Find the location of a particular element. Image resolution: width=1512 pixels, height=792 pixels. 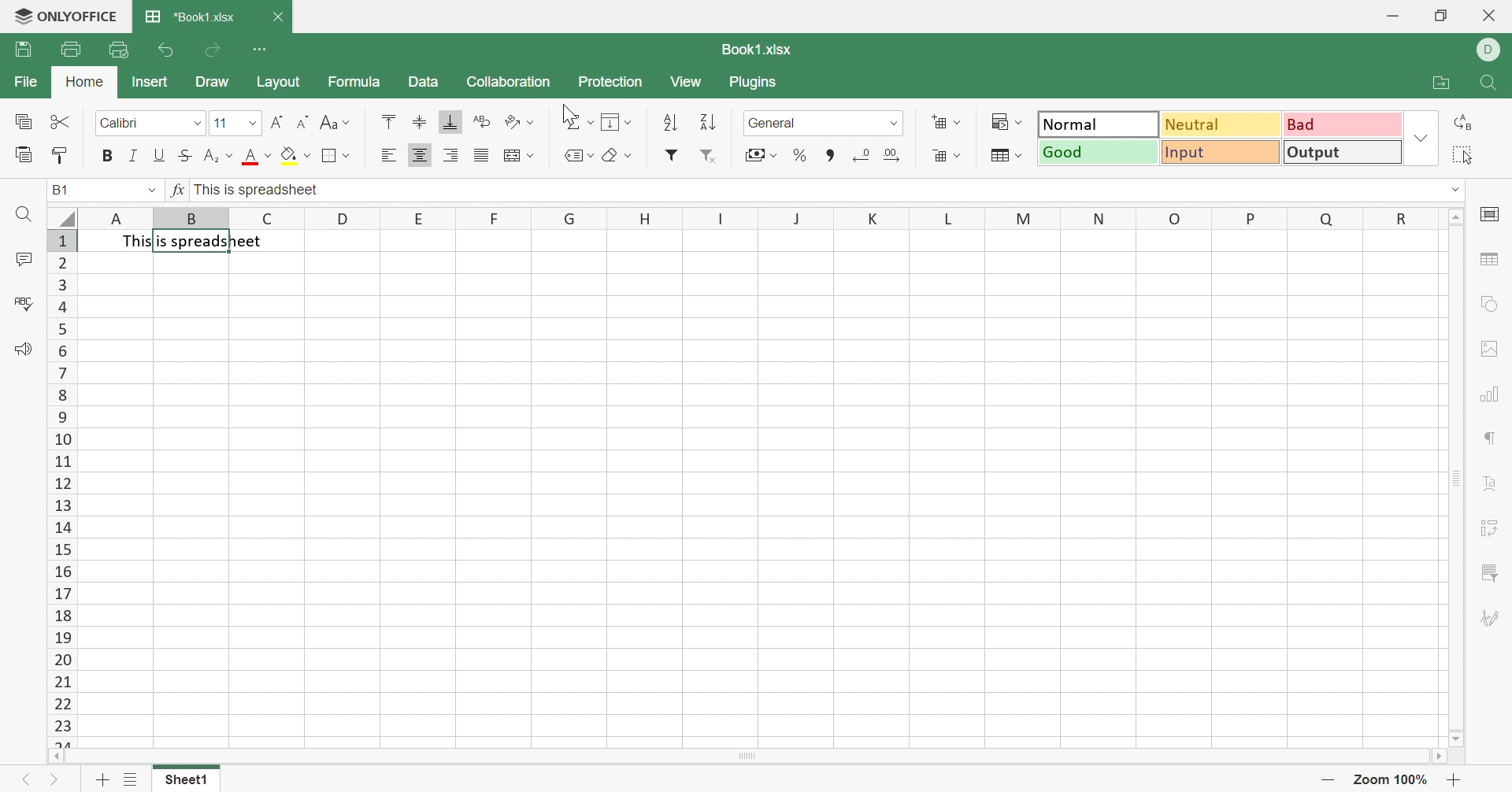

Calibri is located at coordinates (123, 124).